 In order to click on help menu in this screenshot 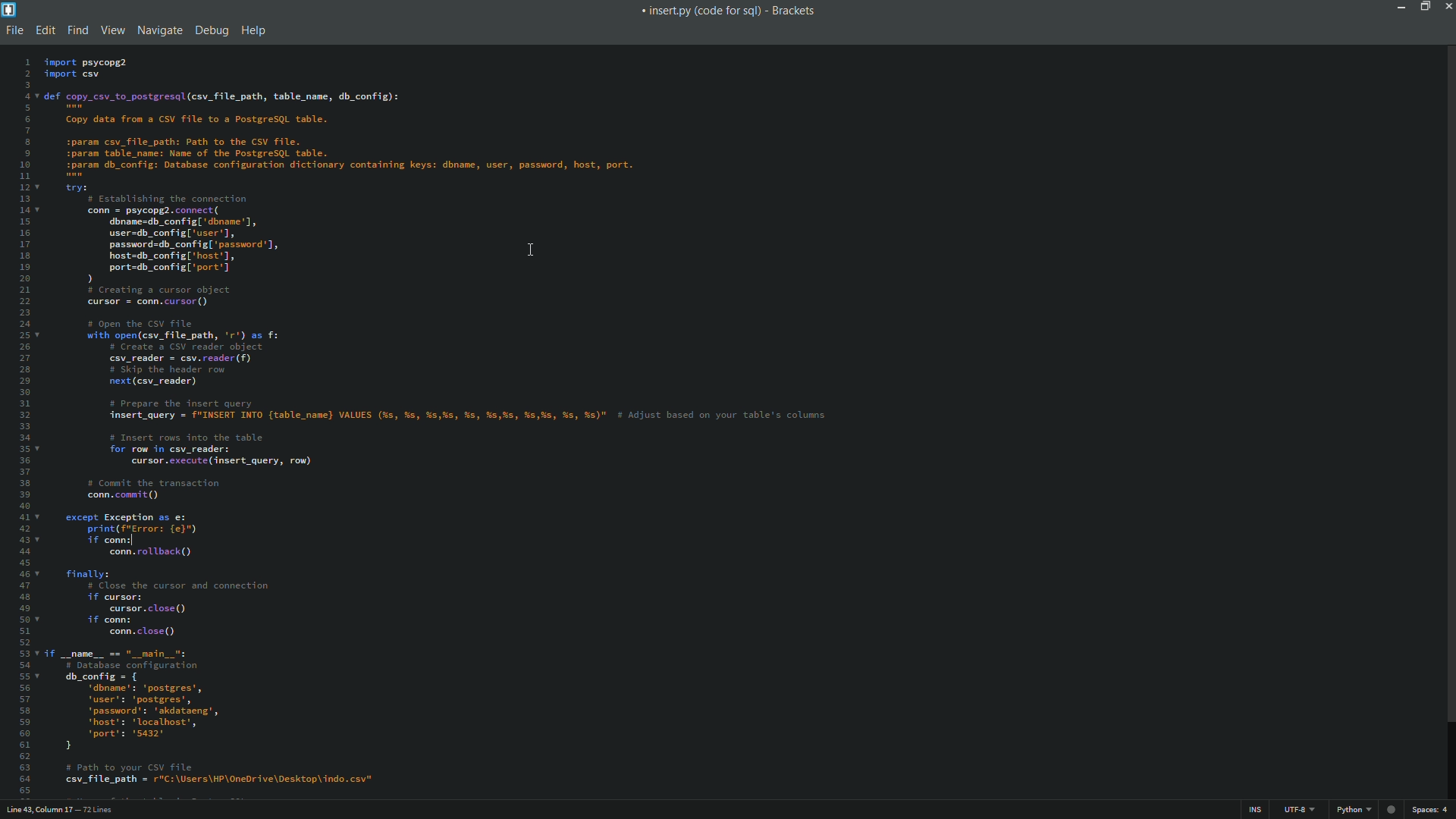, I will do `click(254, 32)`.